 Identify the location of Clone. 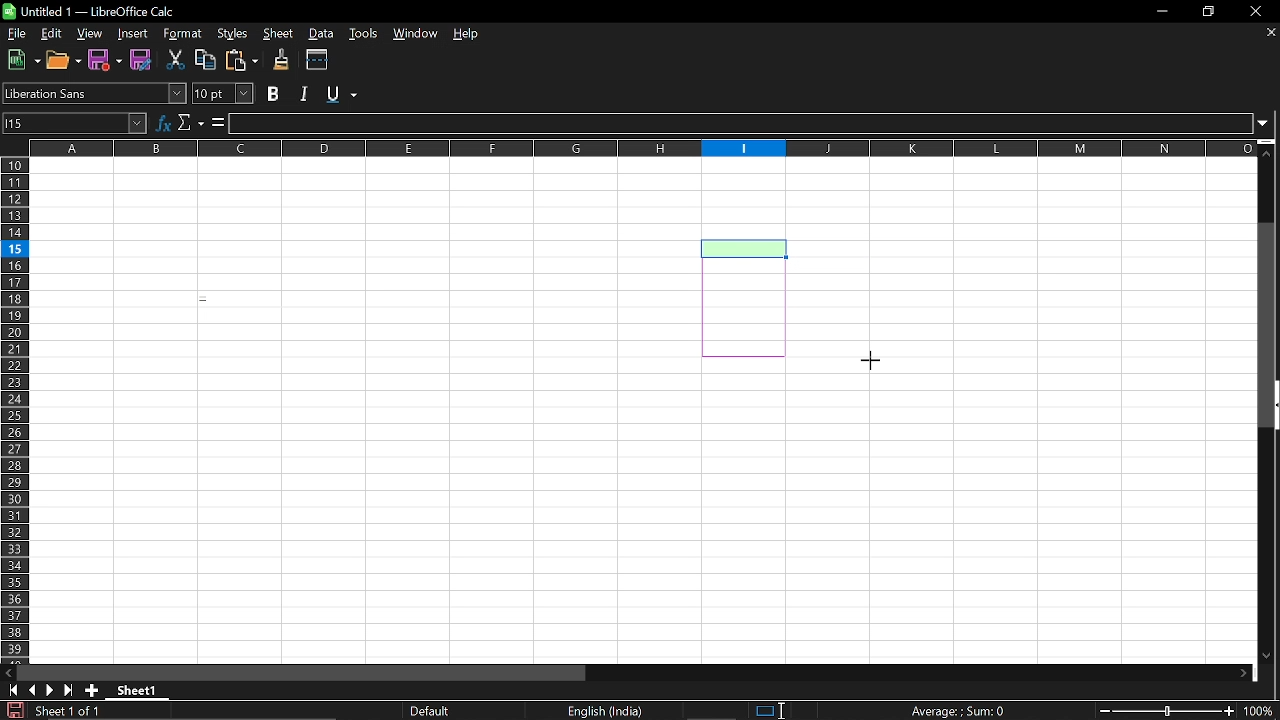
(283, 60).